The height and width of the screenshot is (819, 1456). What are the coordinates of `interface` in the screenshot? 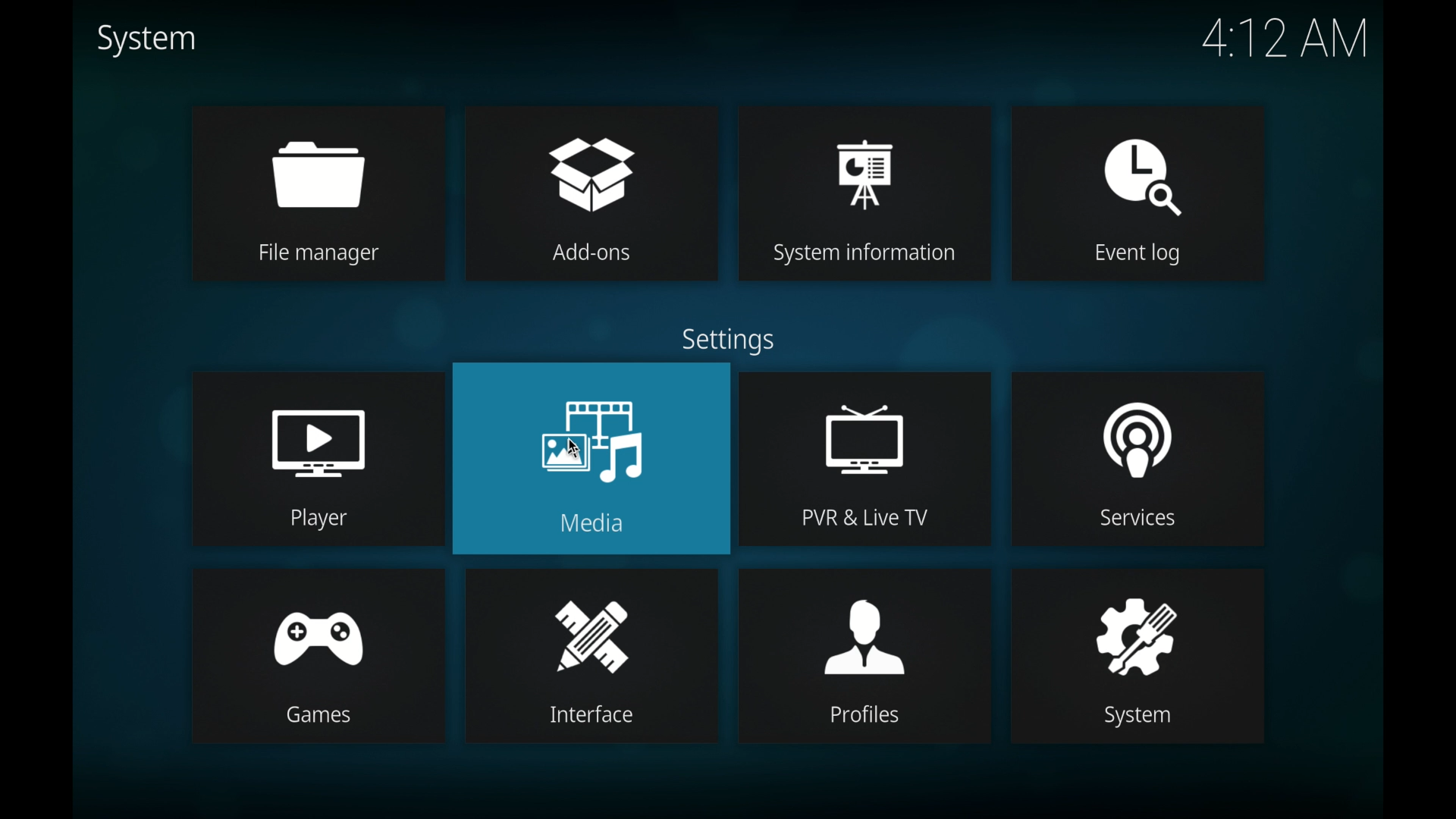 It's located at (592, 623).